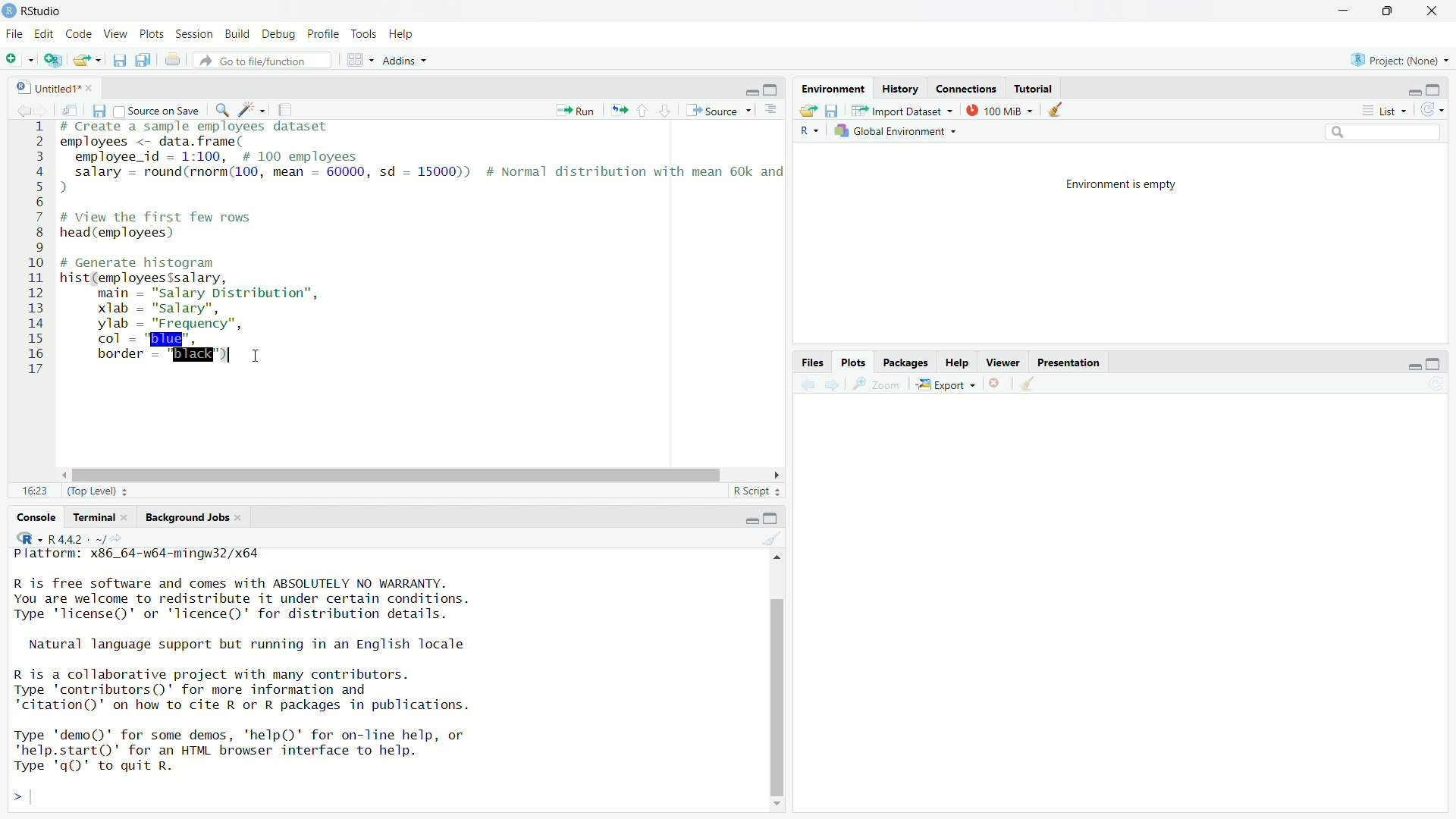 Image resolution: width=1456 pixels, height=819 pixels. What do you see at coordinates (175, 60) in the screenshot?
I see `file ` at bounding box center [175, 60].